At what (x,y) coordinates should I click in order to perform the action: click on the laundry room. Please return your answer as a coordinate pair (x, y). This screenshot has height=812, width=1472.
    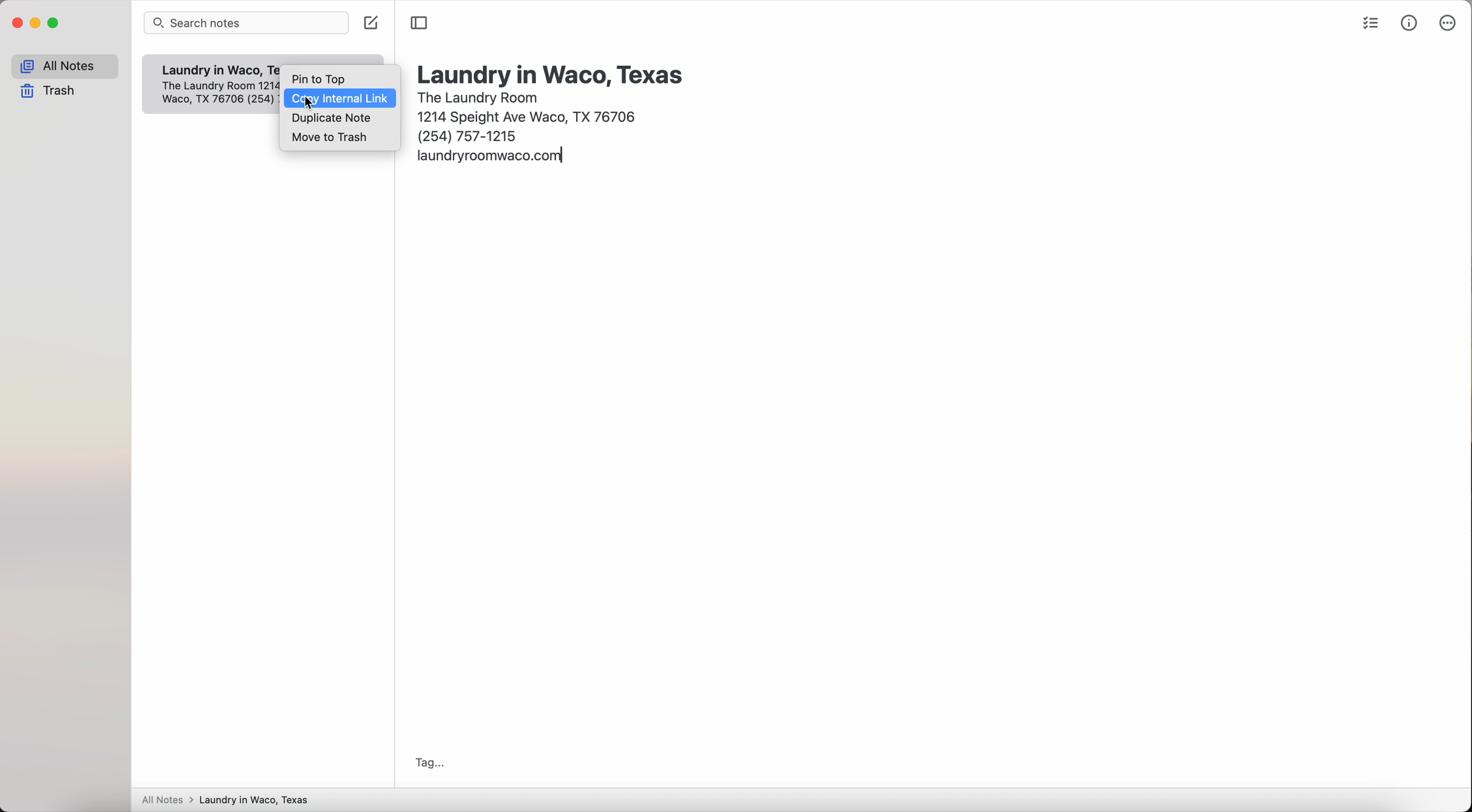
    Looking at the image, I should click on (479, 96).